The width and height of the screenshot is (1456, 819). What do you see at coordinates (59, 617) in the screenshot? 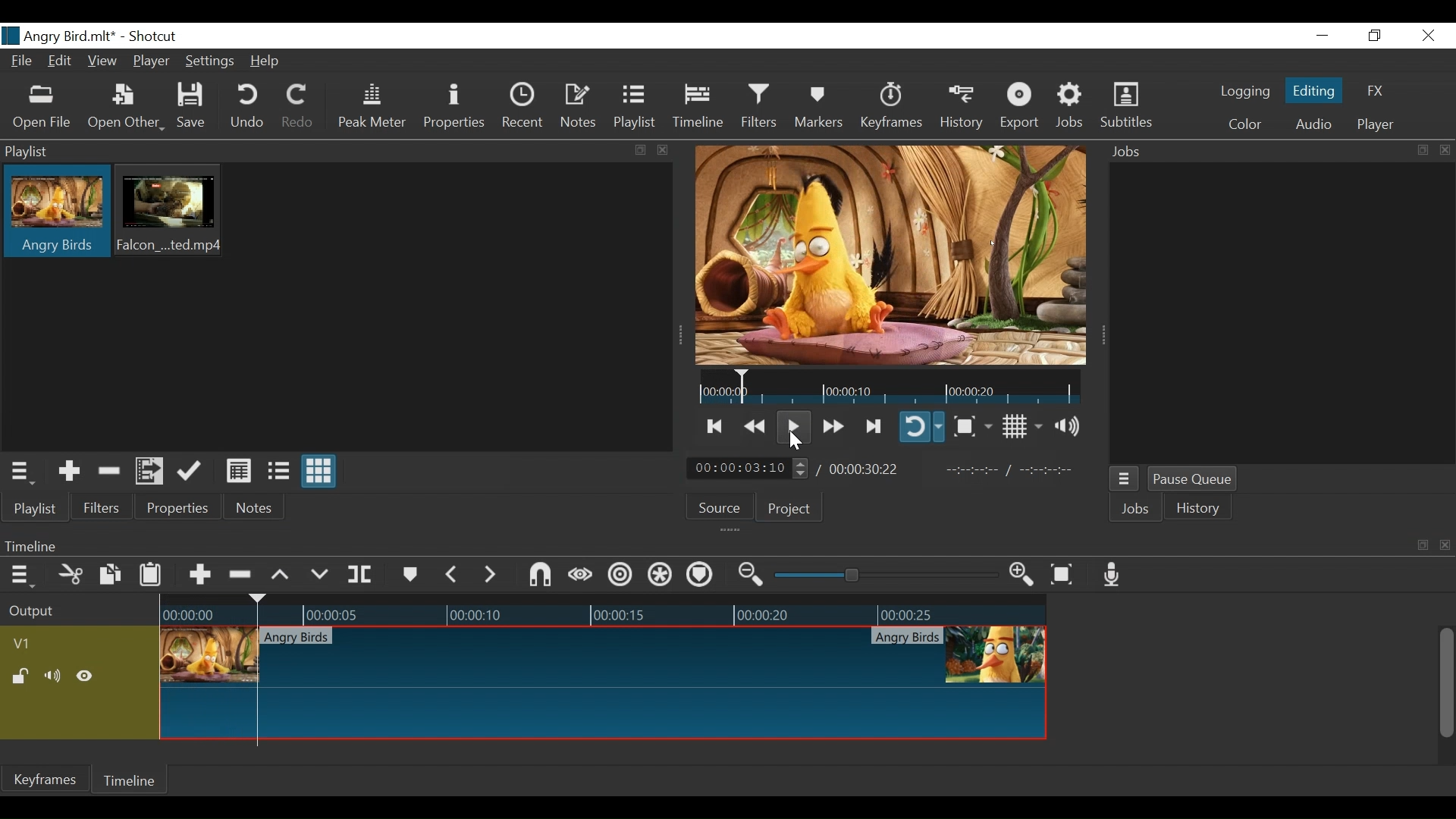
I see `Output` at bounding box center [59, 617].